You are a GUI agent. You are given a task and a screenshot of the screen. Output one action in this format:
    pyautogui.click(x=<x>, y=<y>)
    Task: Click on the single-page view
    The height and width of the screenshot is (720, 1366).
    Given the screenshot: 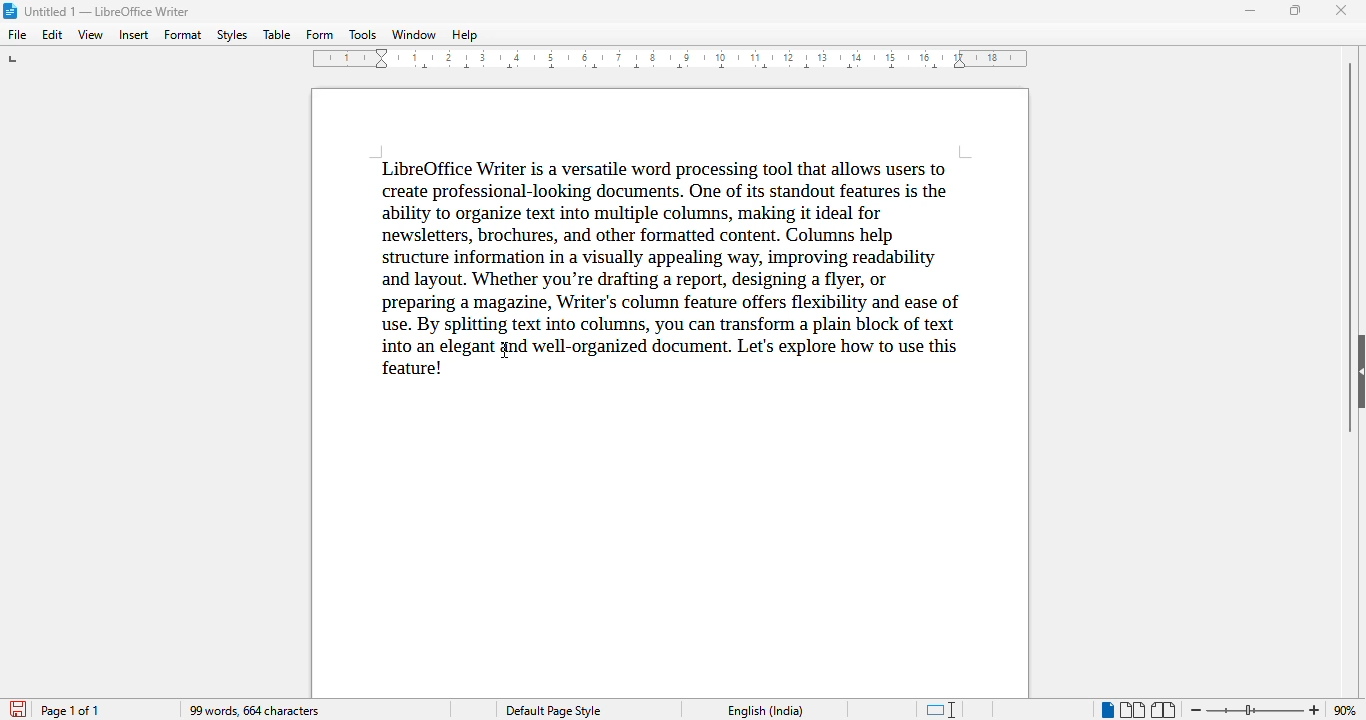 What is the action you would take?
    pyautogui.click(x=1106, y=710)
    